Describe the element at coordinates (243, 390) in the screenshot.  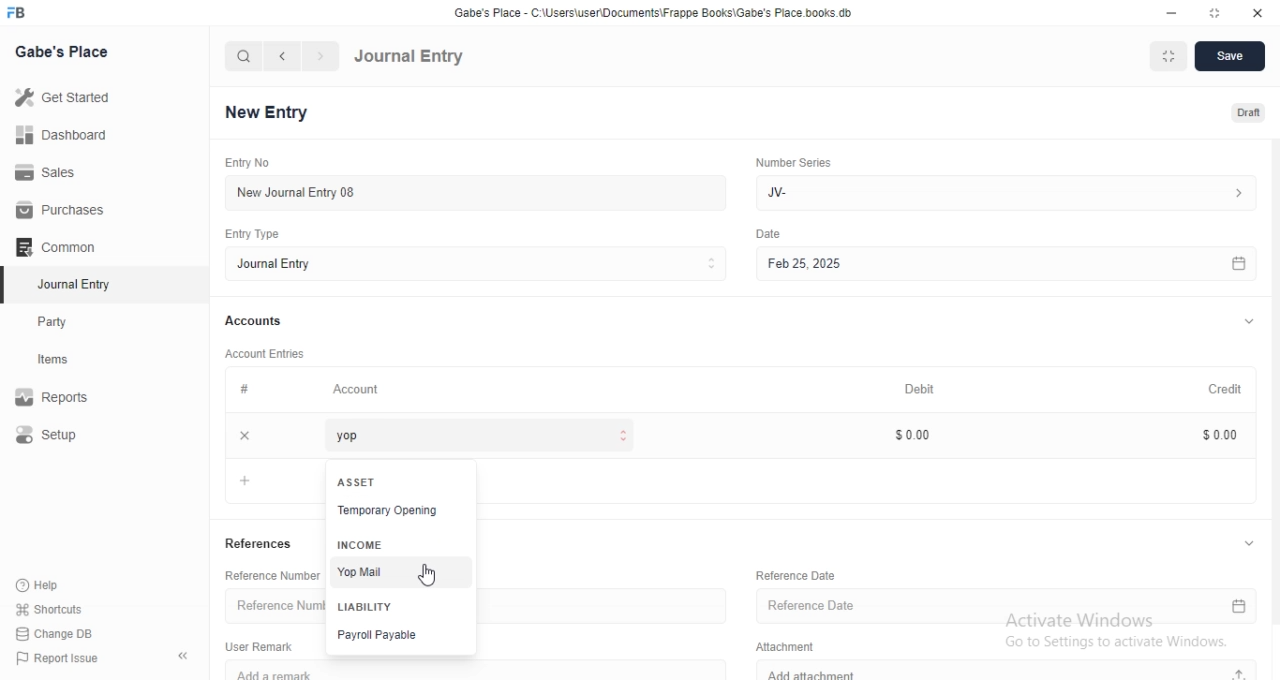
I see `#` at that location.